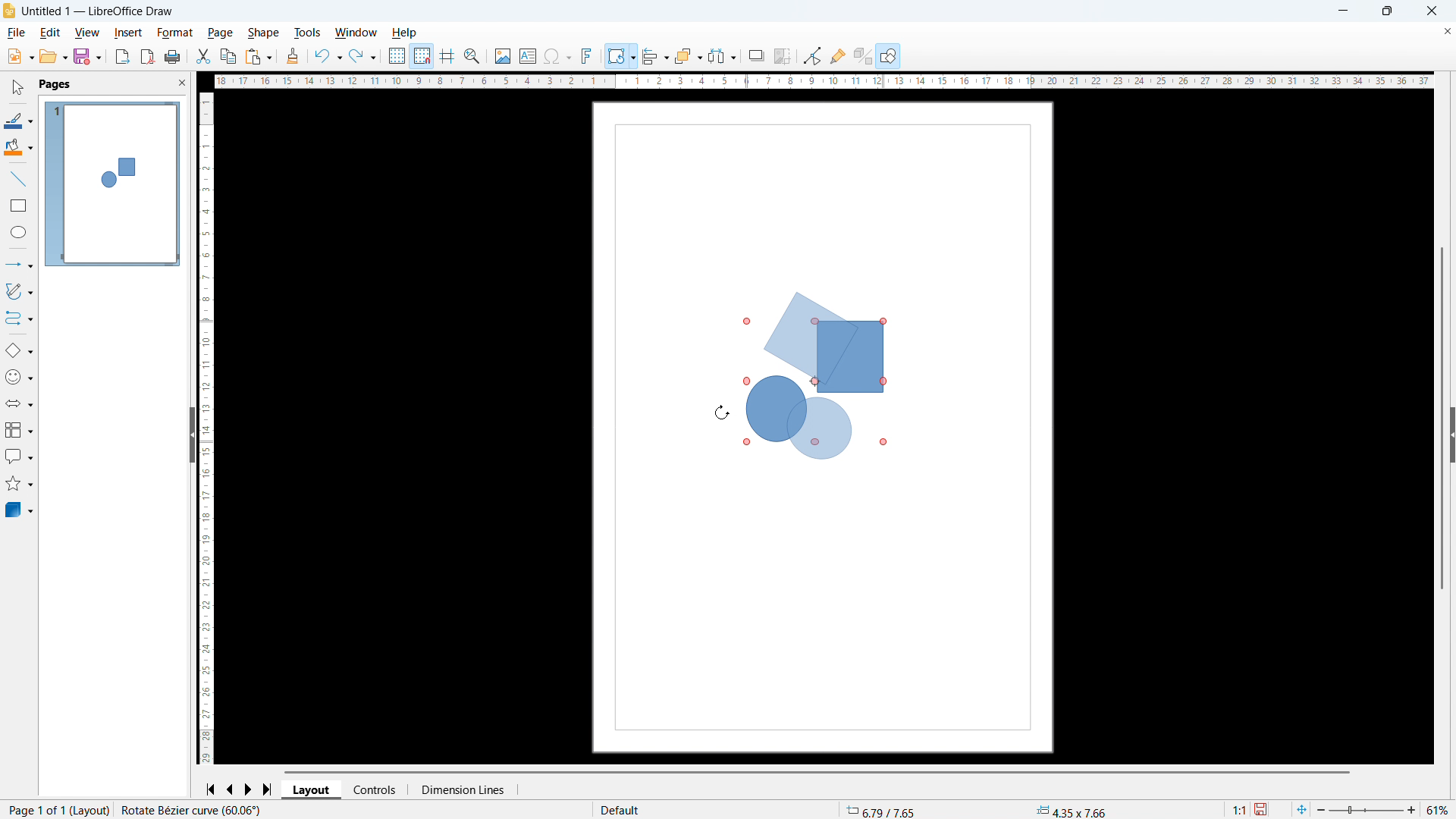 This screenshot has height=819, width=1456. What do you see at coordinates (58, 810) in the screenshot?
I see `Page number ` at bounding box center [58, 810].